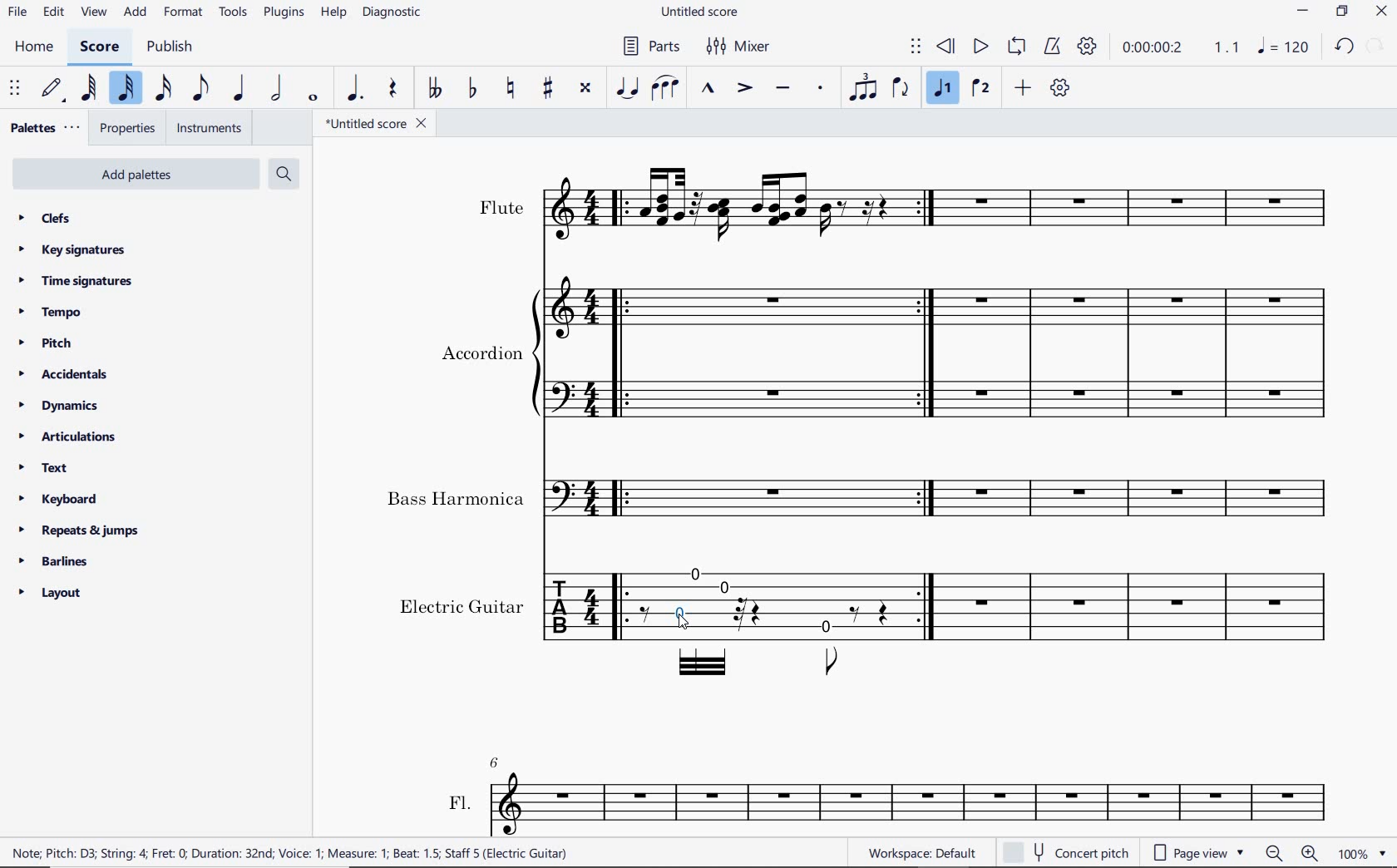 This screenshot has height=868, width=1397. What do you see at coordinates (333, 13) in the screenshot?
I see `help` at bounding box center [333, 13].